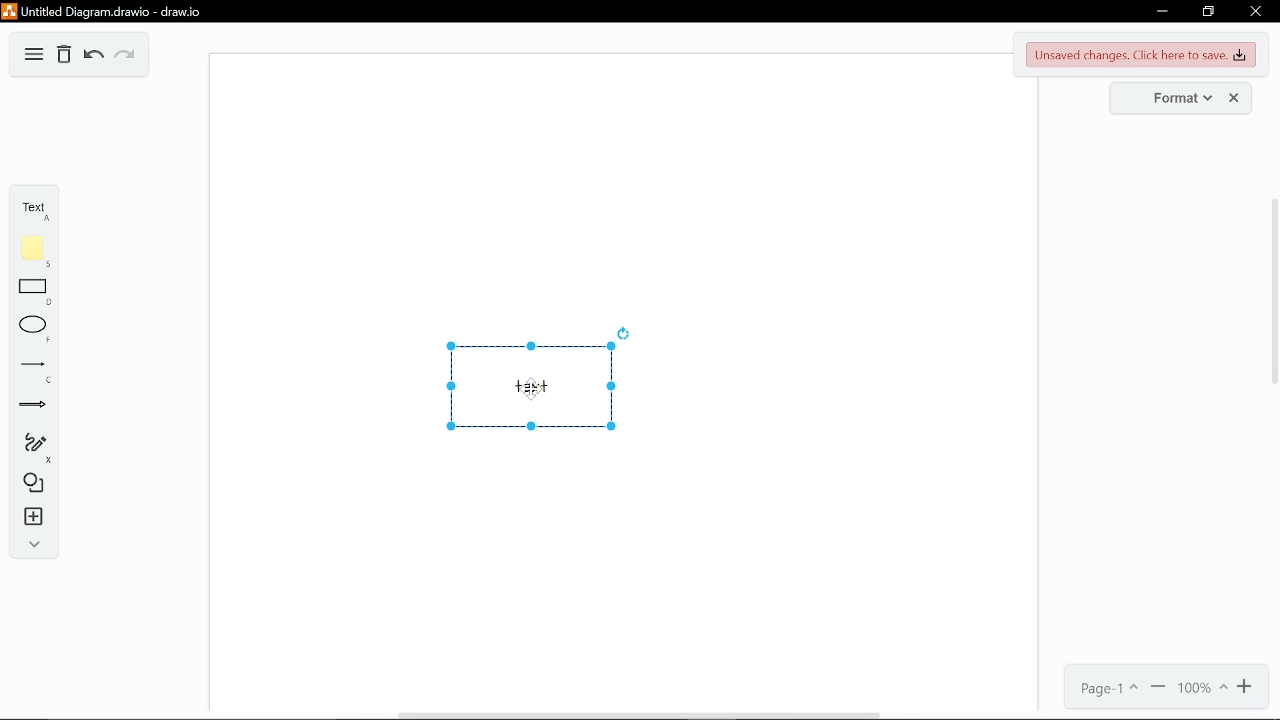  Describe the element at coordinates (1247, 689) in the screenshot. I see `zoom in` at that location.